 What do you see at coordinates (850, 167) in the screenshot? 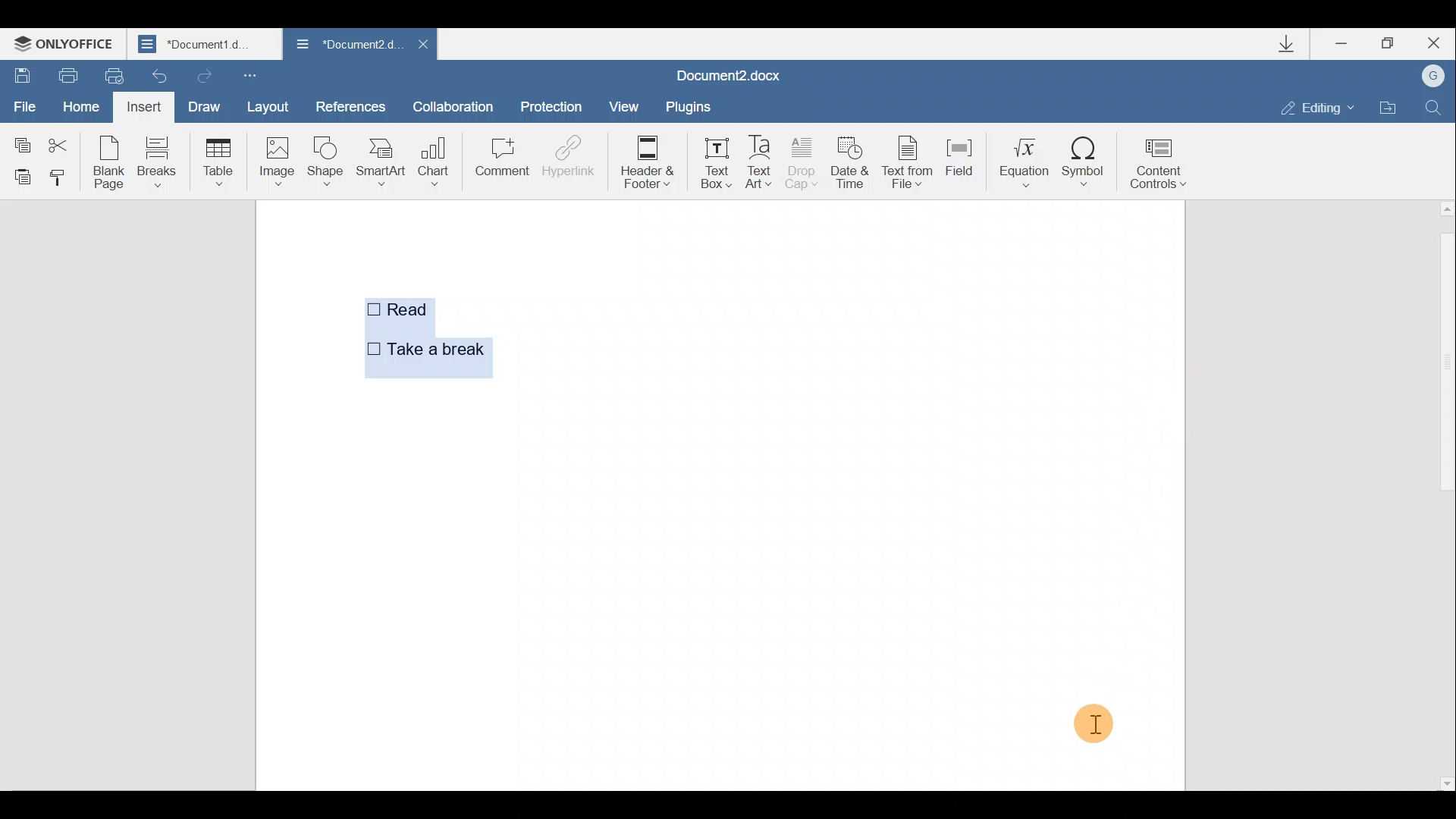
I see `Date & time` at bounding box center [850, 167].